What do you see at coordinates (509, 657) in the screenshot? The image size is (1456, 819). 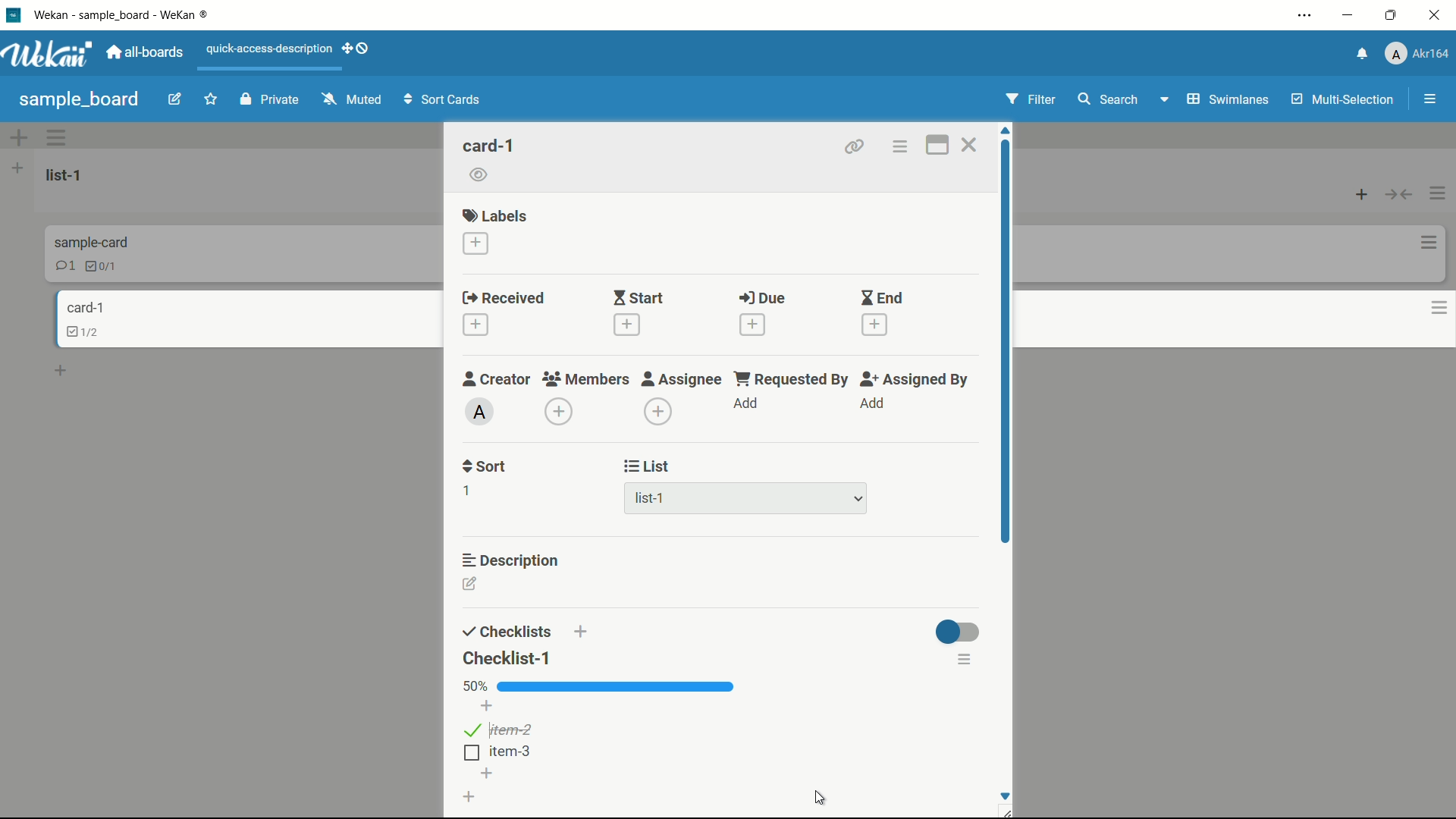 I see `checklist-1` at bounding box center [509, 657].